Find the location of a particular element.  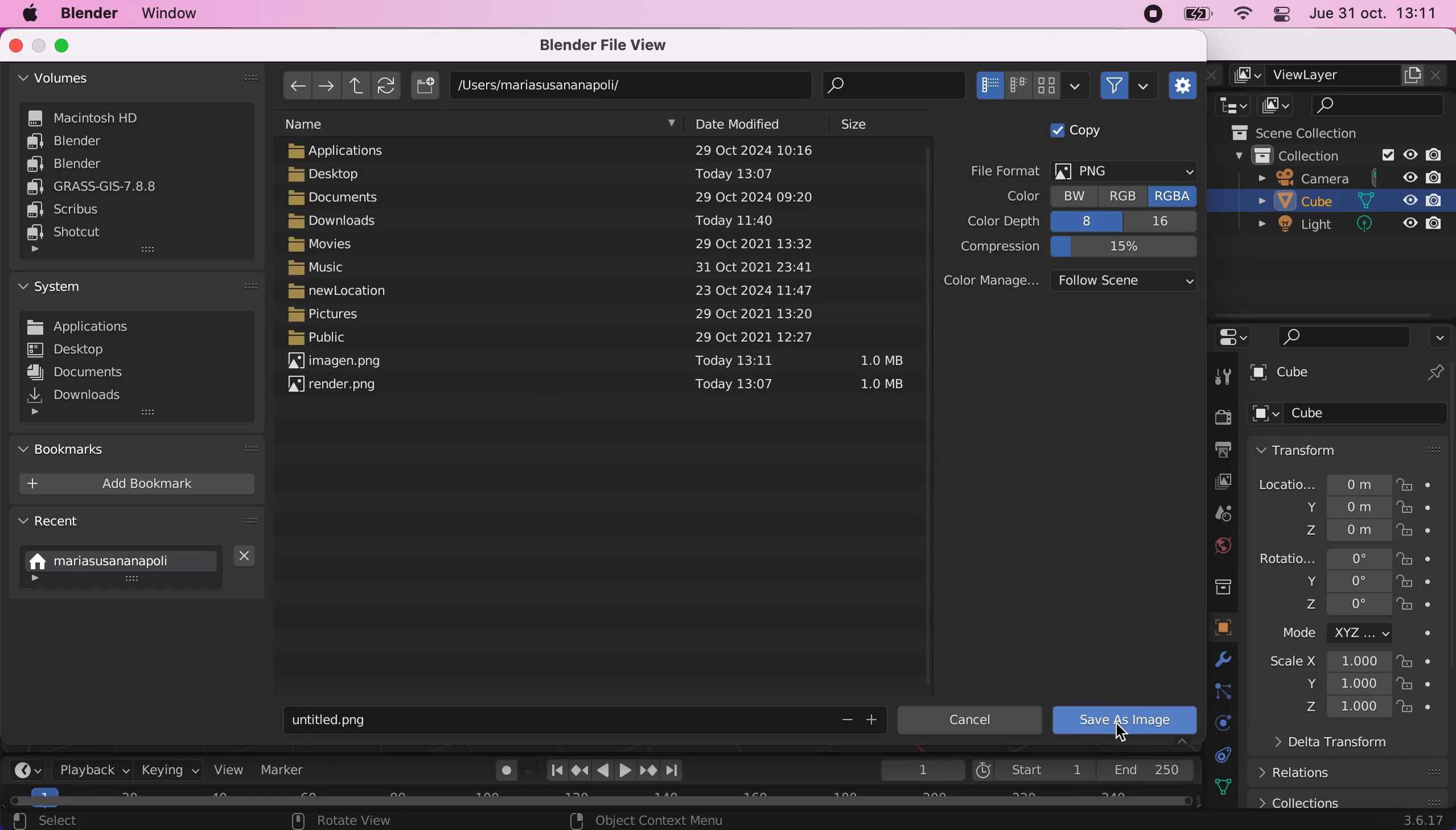

title of the image is located at coordinates (587, 721).